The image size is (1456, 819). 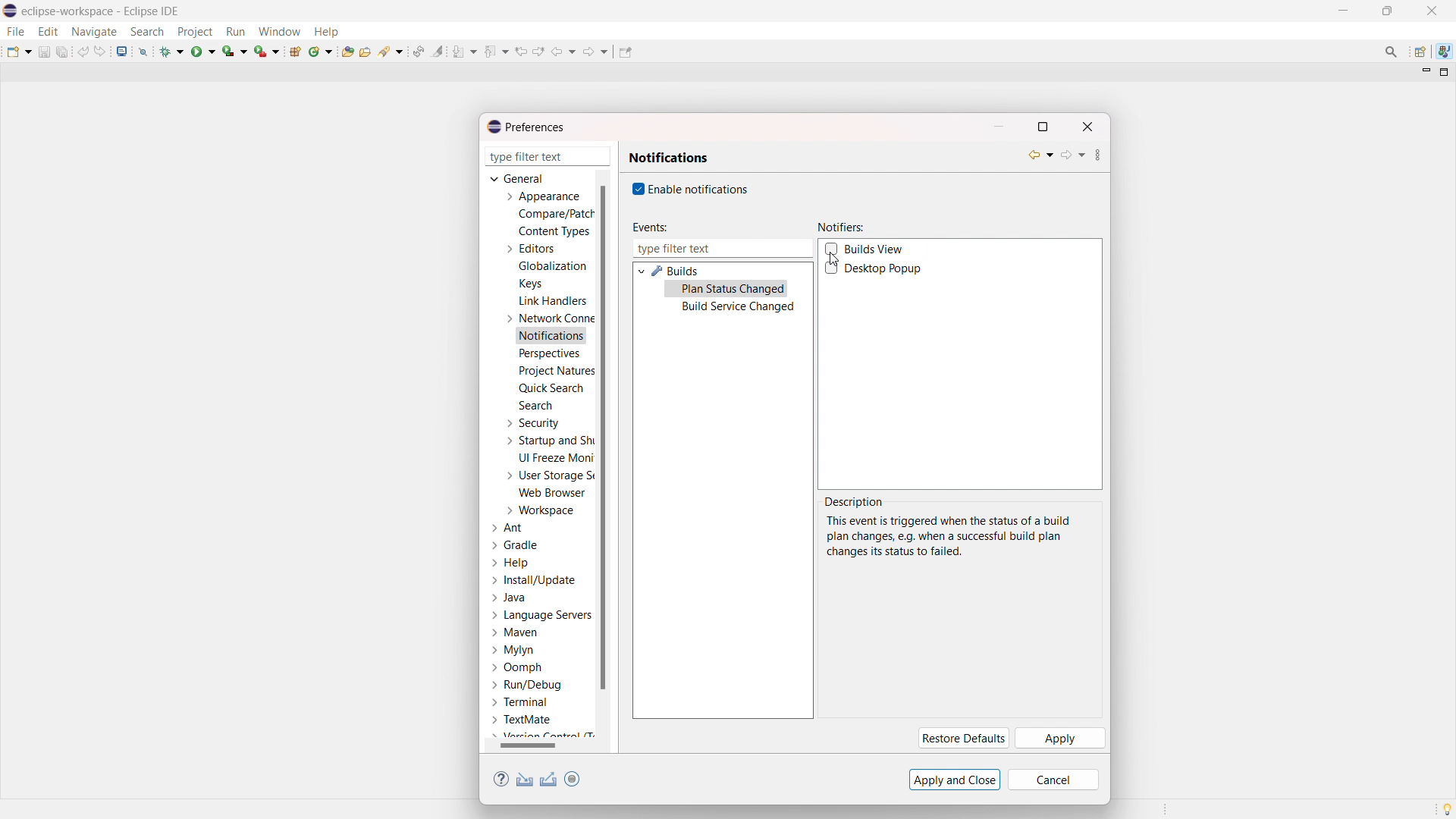 I want to click on notifiers, so click(x=841, y=227).